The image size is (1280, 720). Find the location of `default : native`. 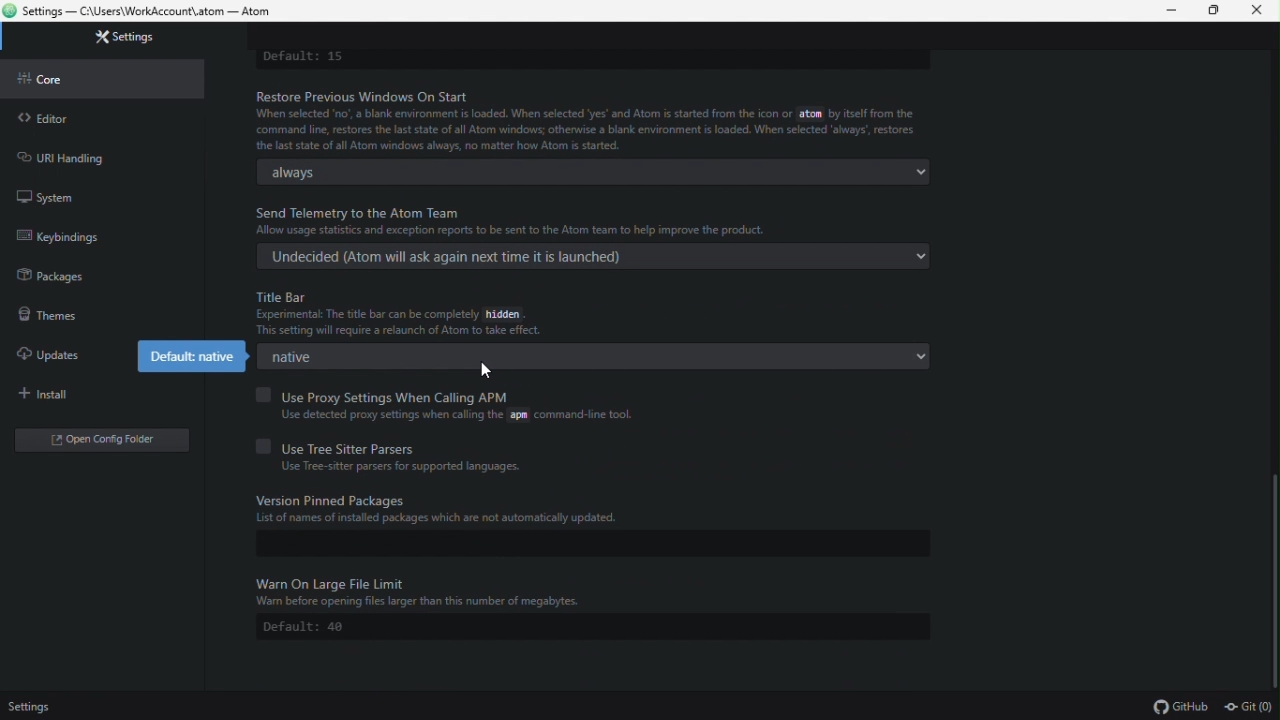

default : native is located at coordinates (188, 356).